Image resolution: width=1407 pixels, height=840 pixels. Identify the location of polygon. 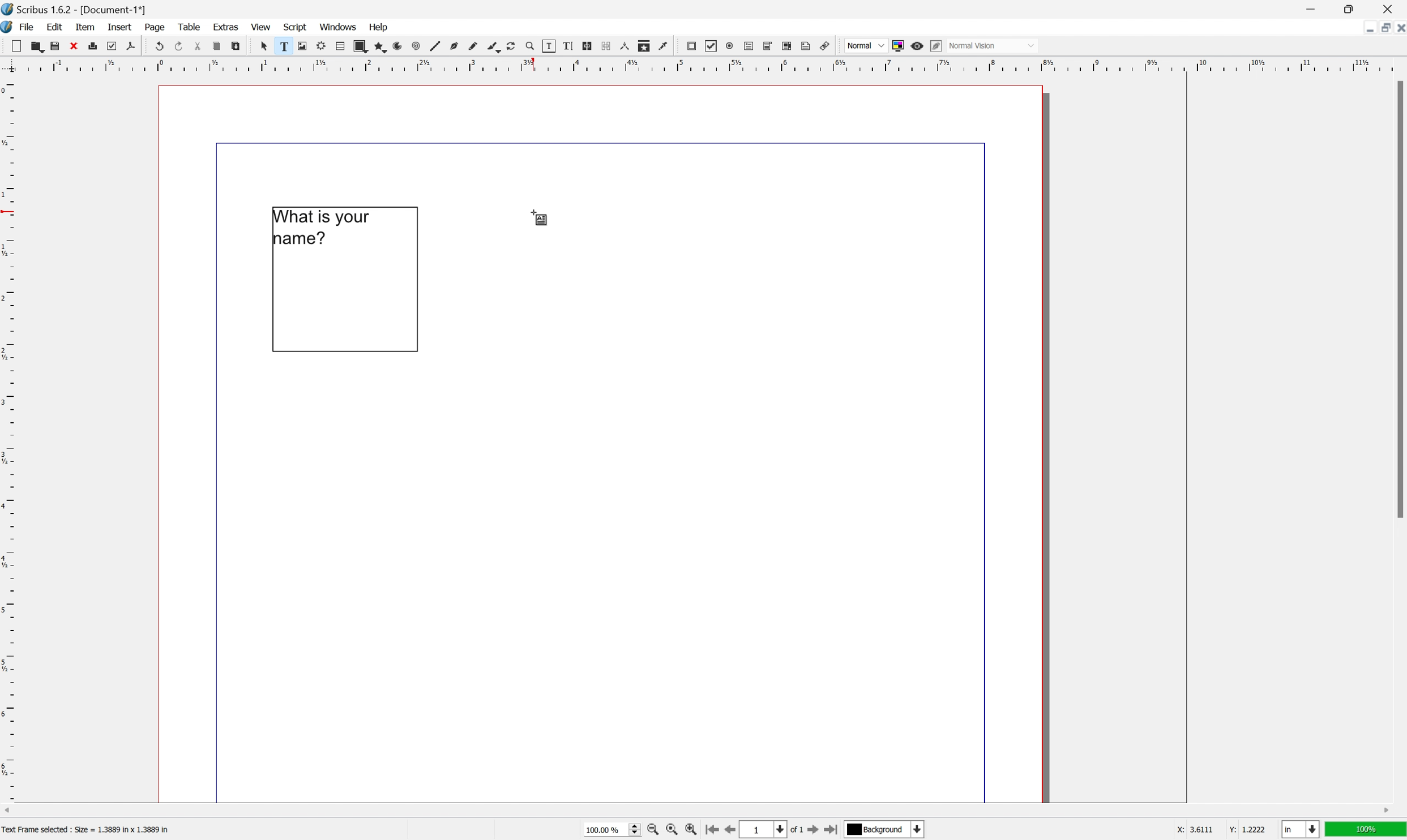
(382, 48).